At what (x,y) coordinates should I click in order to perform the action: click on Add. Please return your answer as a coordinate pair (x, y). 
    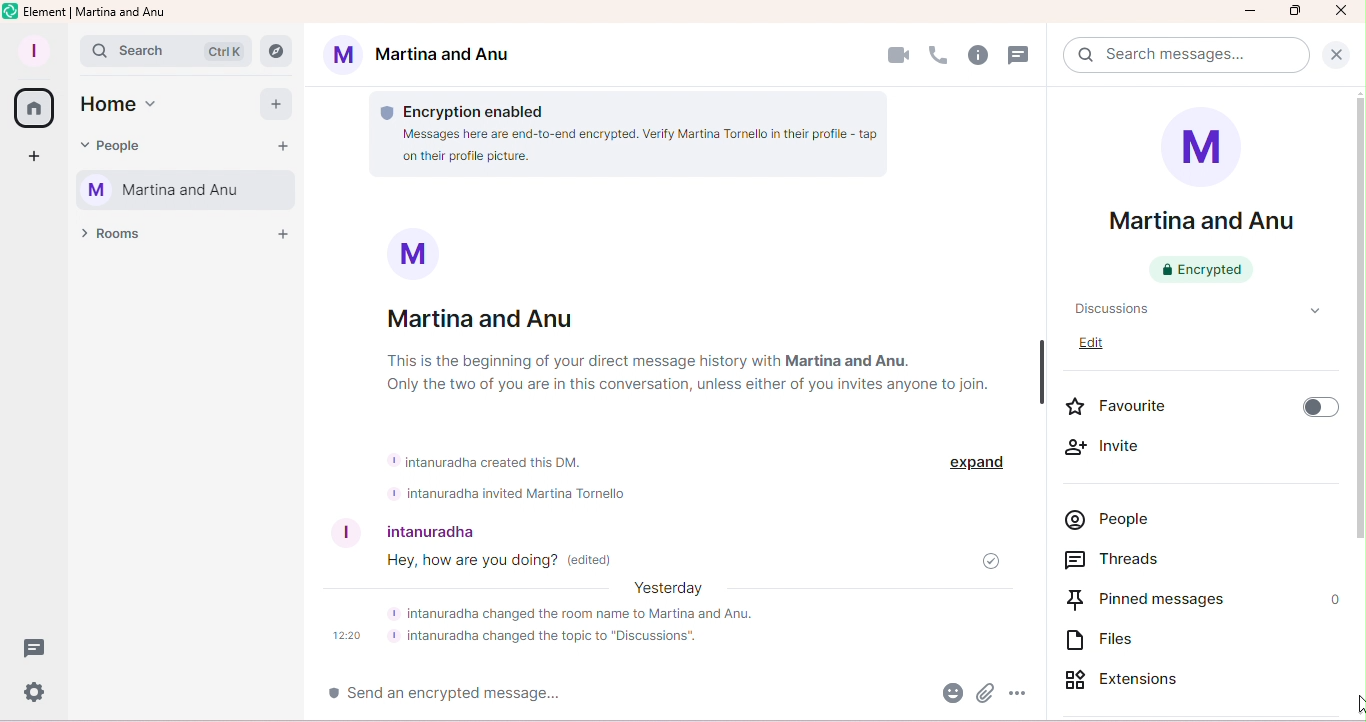
    Looking at the image, I should click on (271, 103).